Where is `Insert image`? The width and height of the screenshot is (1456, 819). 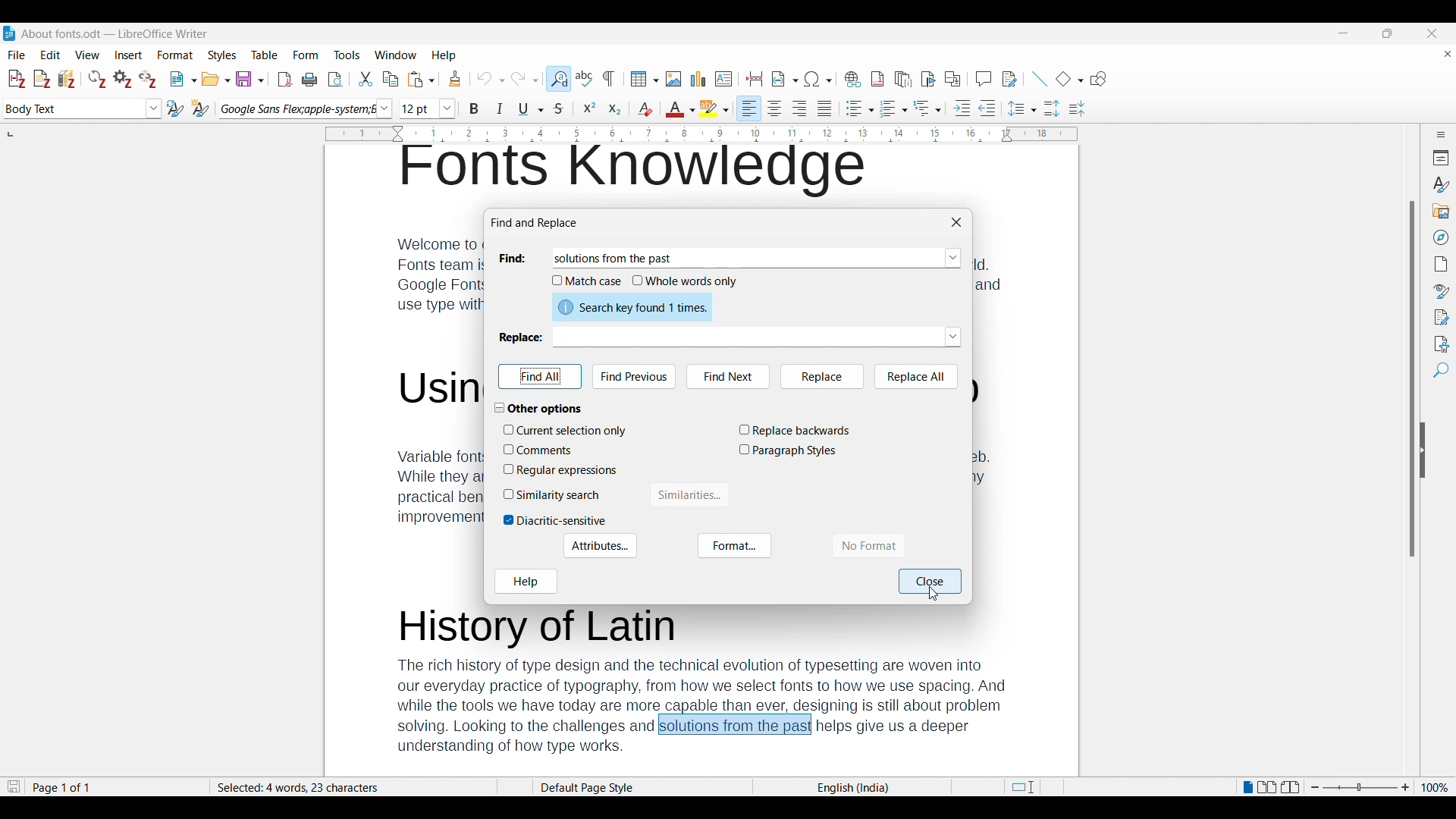
Insert image is located at coordinates (673, 79).